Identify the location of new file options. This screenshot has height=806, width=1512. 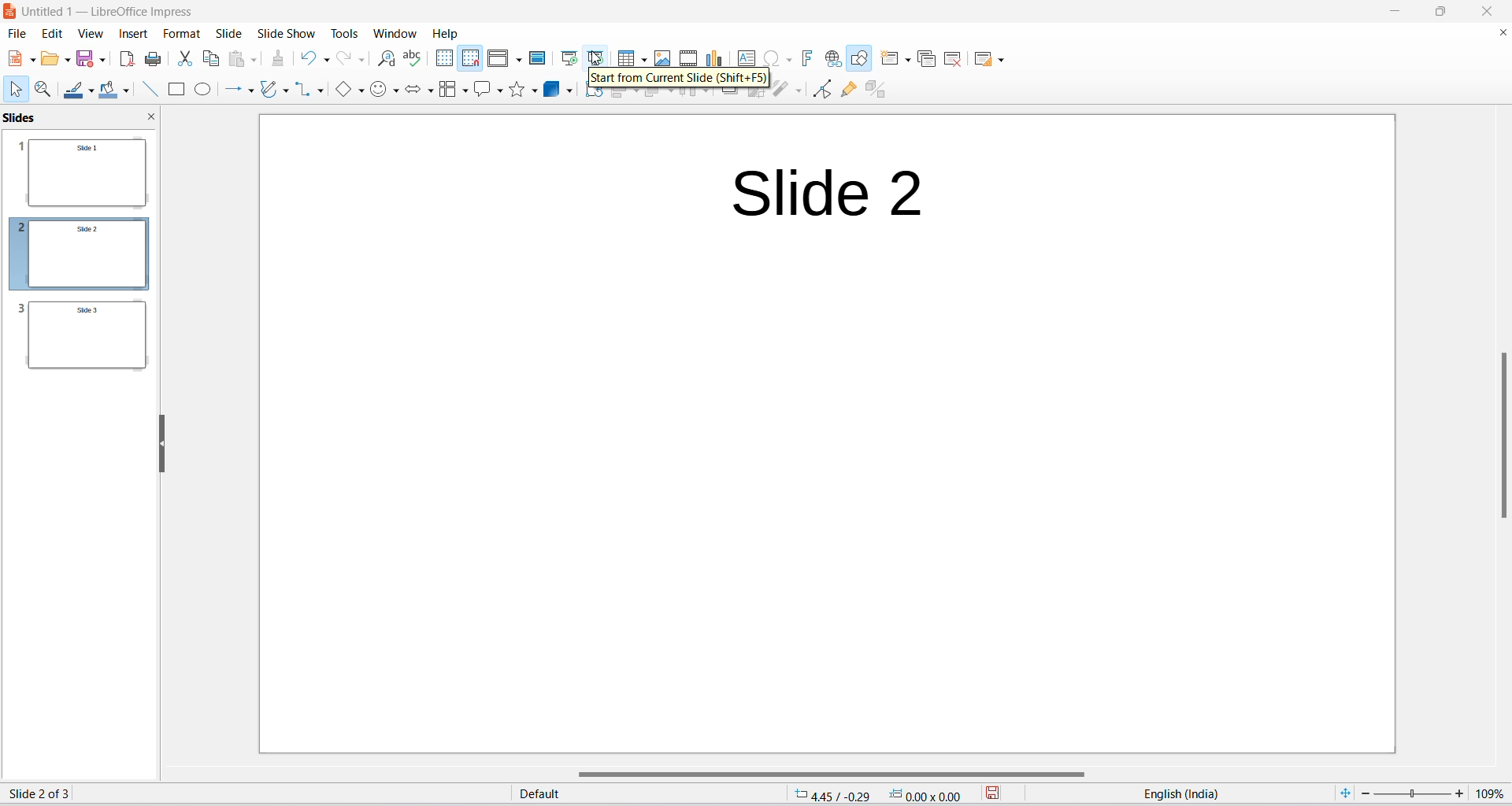
(32, 62).